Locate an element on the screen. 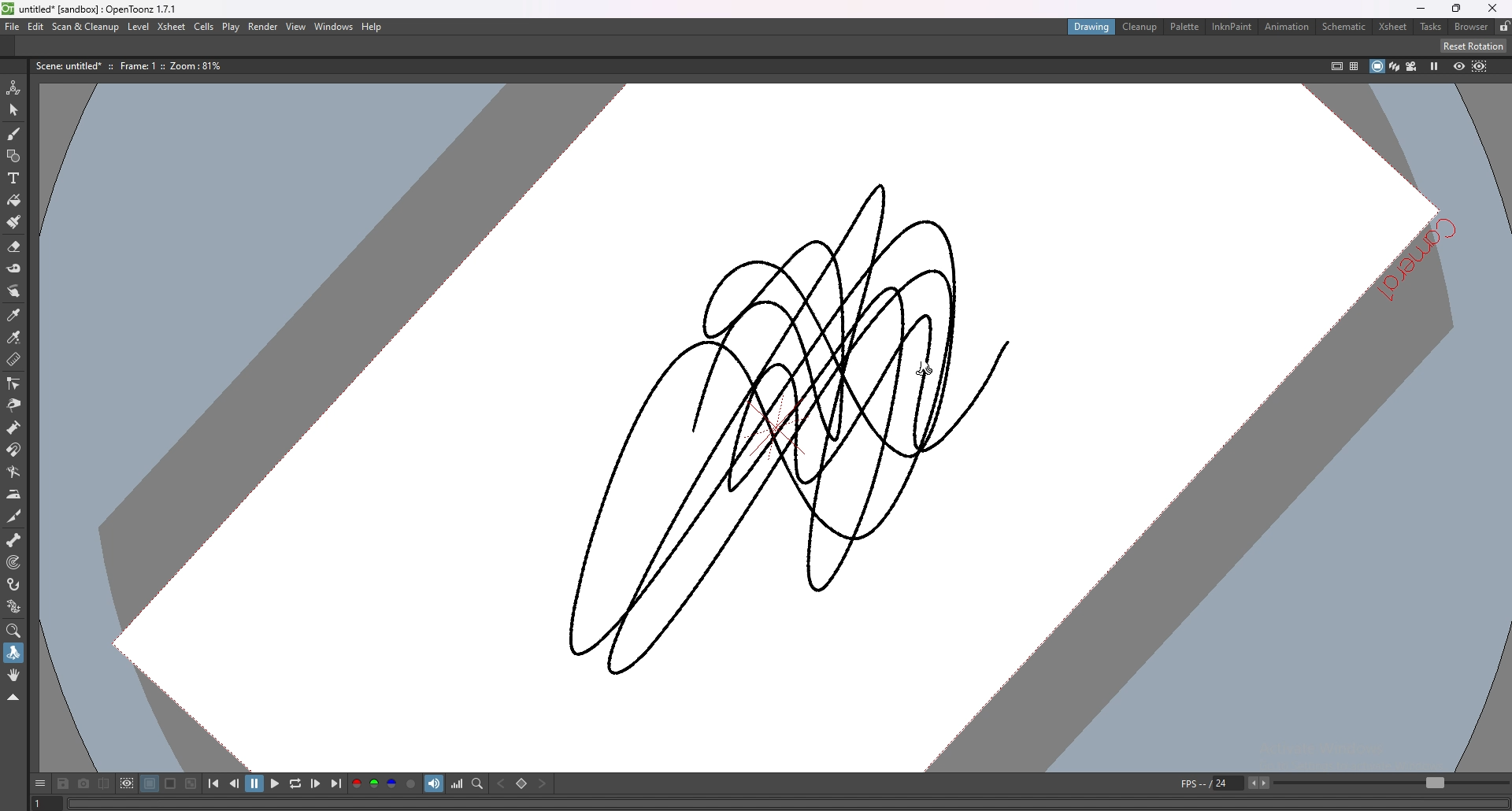 Image resolution: width=1512 pixels, height=811 pixels. target is located at coordinates (12, 562).